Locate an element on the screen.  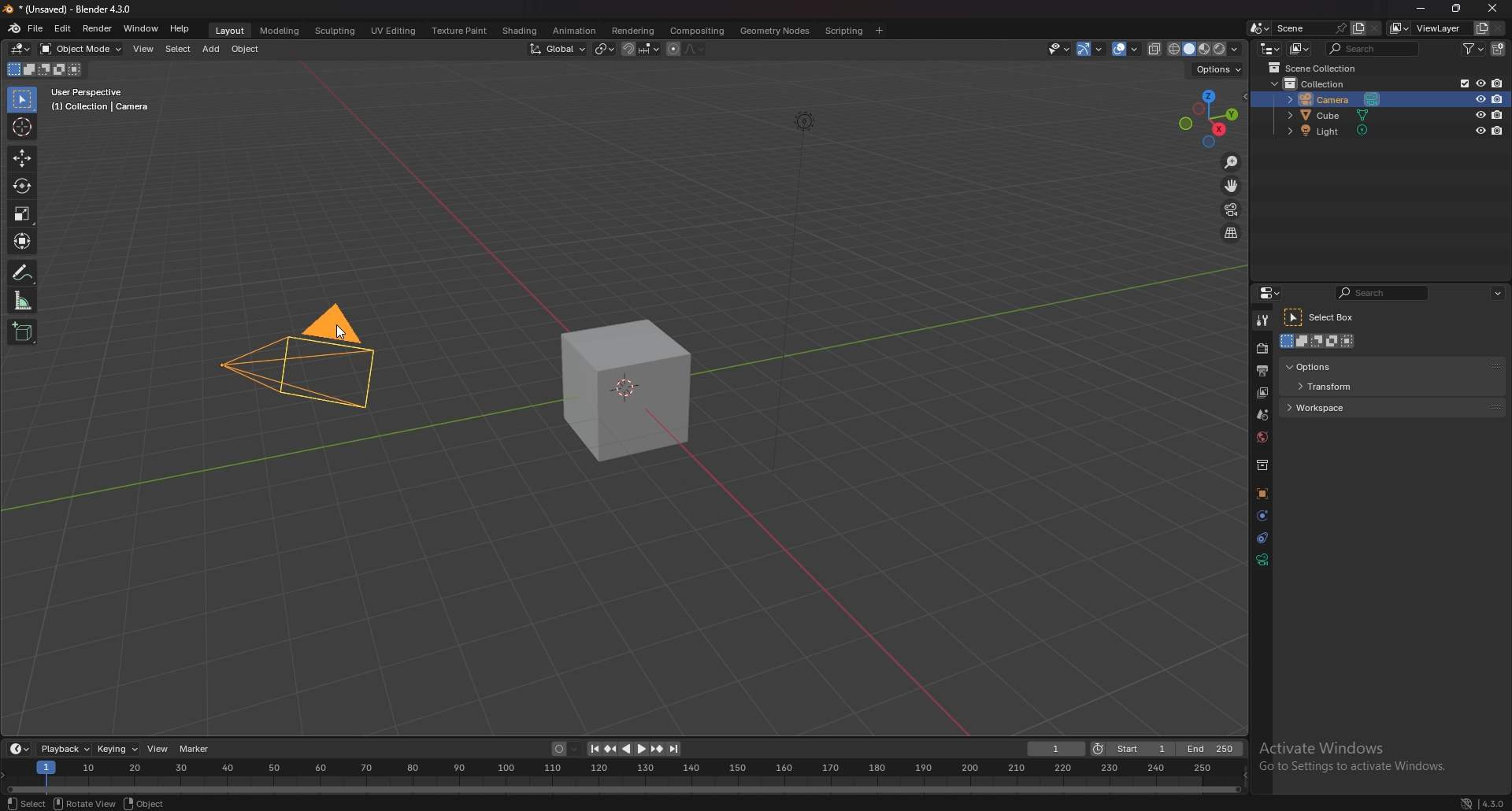
editor type is located at coordinates (20, 748).